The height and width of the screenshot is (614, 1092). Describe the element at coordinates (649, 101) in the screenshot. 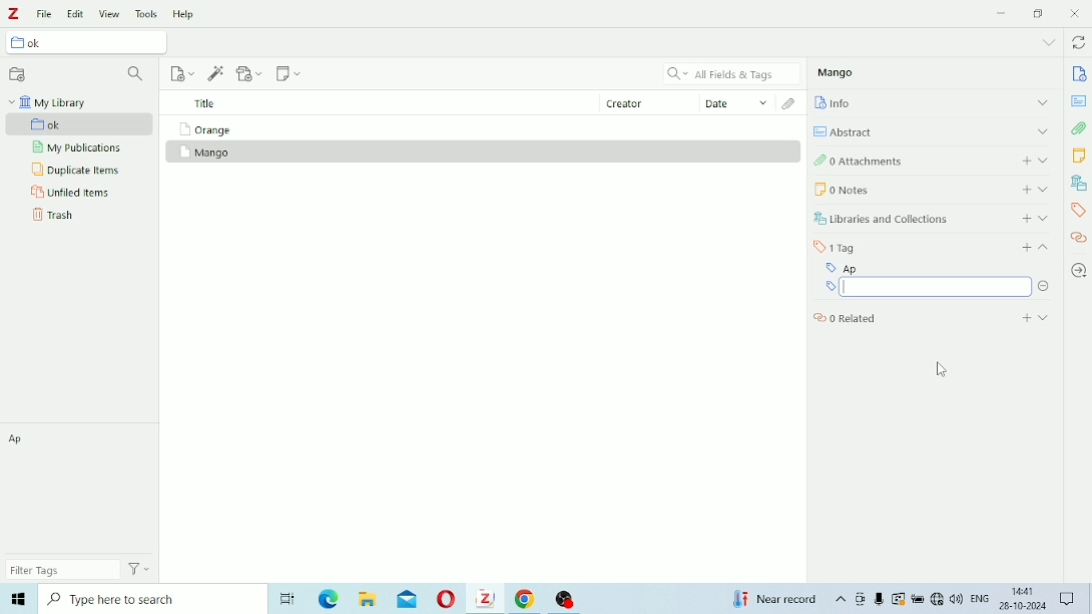

I see `Creator` at that location.